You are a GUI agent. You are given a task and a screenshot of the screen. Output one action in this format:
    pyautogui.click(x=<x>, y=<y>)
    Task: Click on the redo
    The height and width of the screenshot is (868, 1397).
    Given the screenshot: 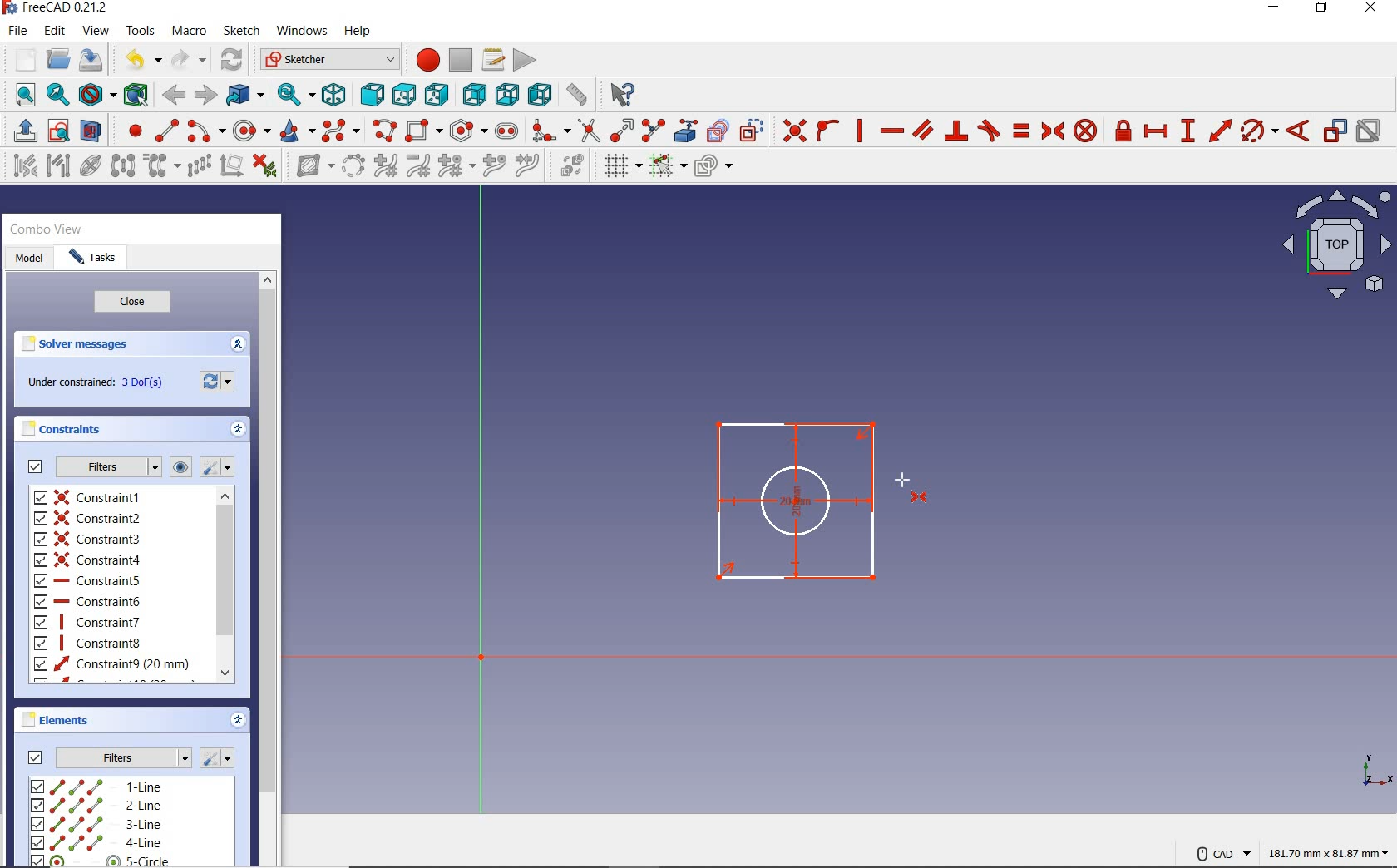 What is the action you would take?
    pyautogui.click(x=189, y=59)
    